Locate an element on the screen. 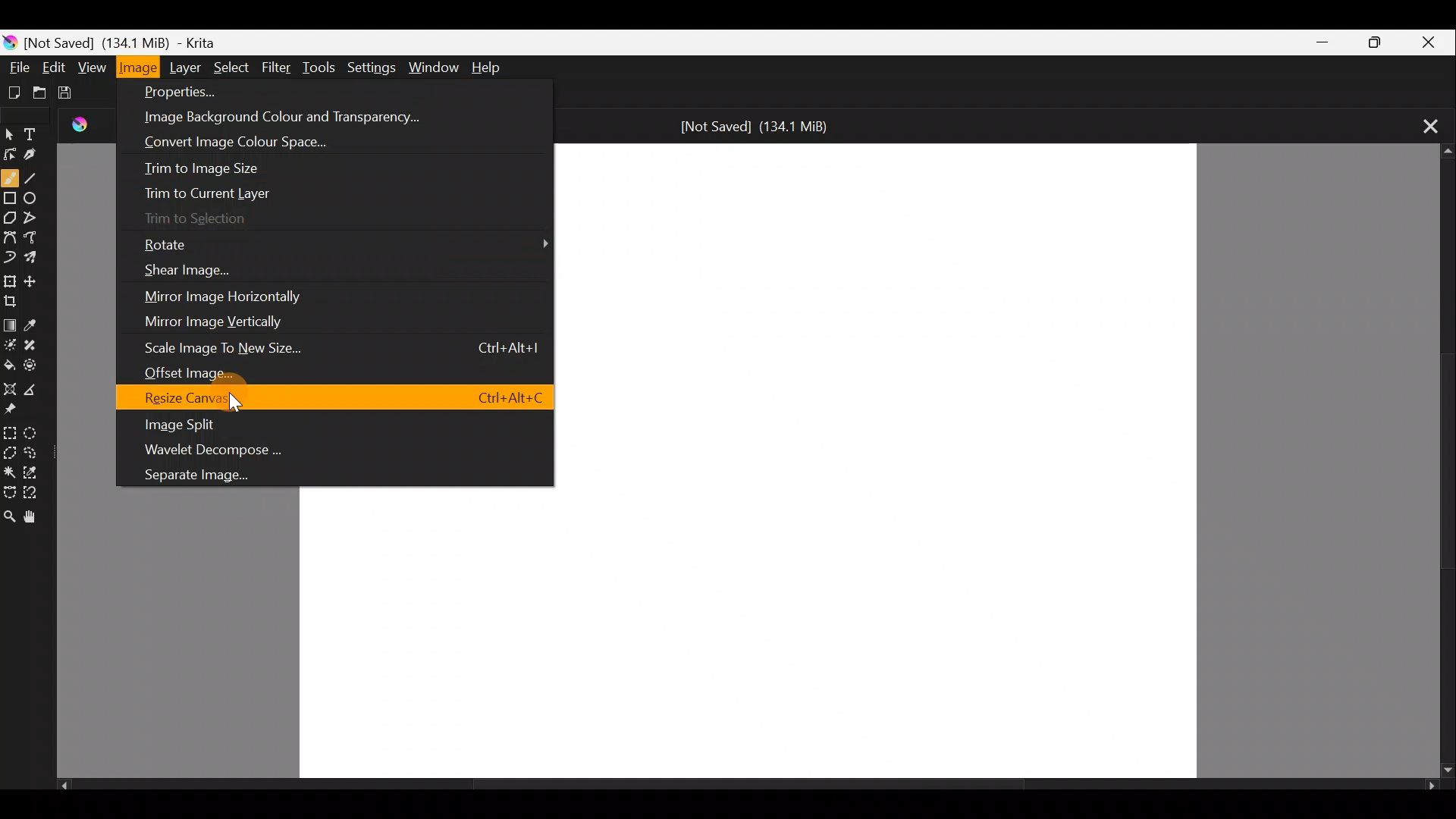  Shear image is located at coordinates (187, 271).